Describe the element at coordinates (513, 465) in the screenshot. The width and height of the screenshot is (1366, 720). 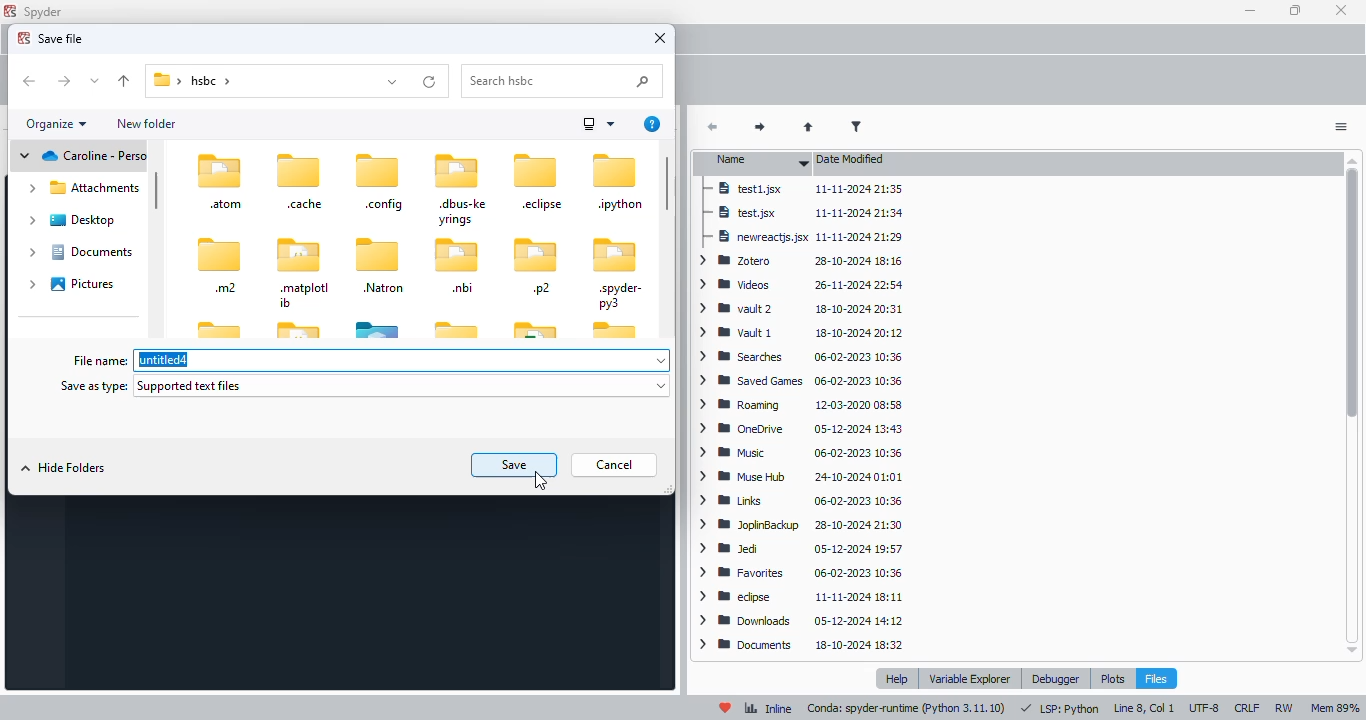
I see `save` at that location.